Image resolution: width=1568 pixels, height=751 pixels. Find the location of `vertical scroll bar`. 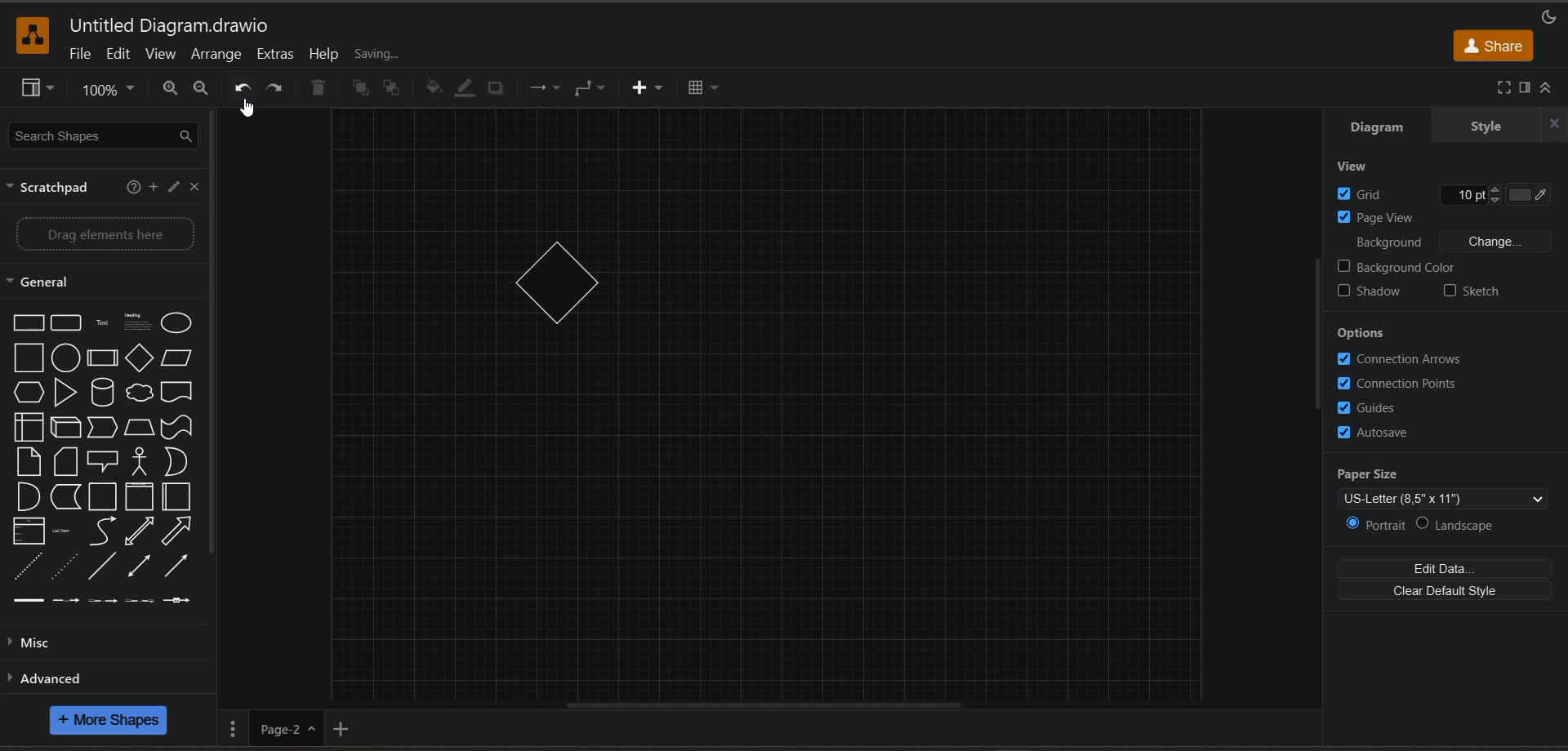

vertical scroll bar is located at coordinates (214, 337).